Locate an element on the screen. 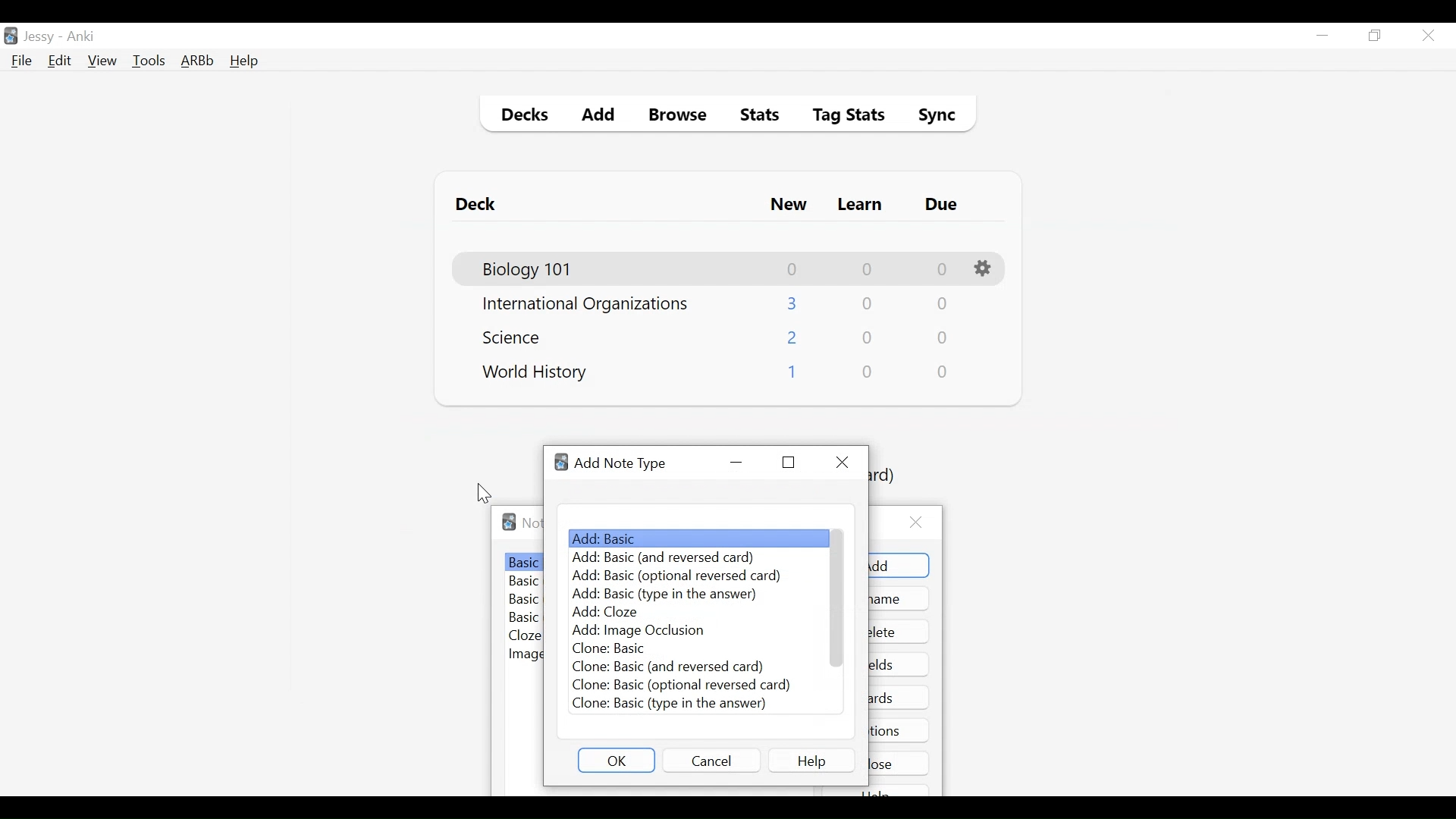 This screenshot has width=1456, height=819. Clone: Basic (type in the answer) is located at coordinates (668, 704).